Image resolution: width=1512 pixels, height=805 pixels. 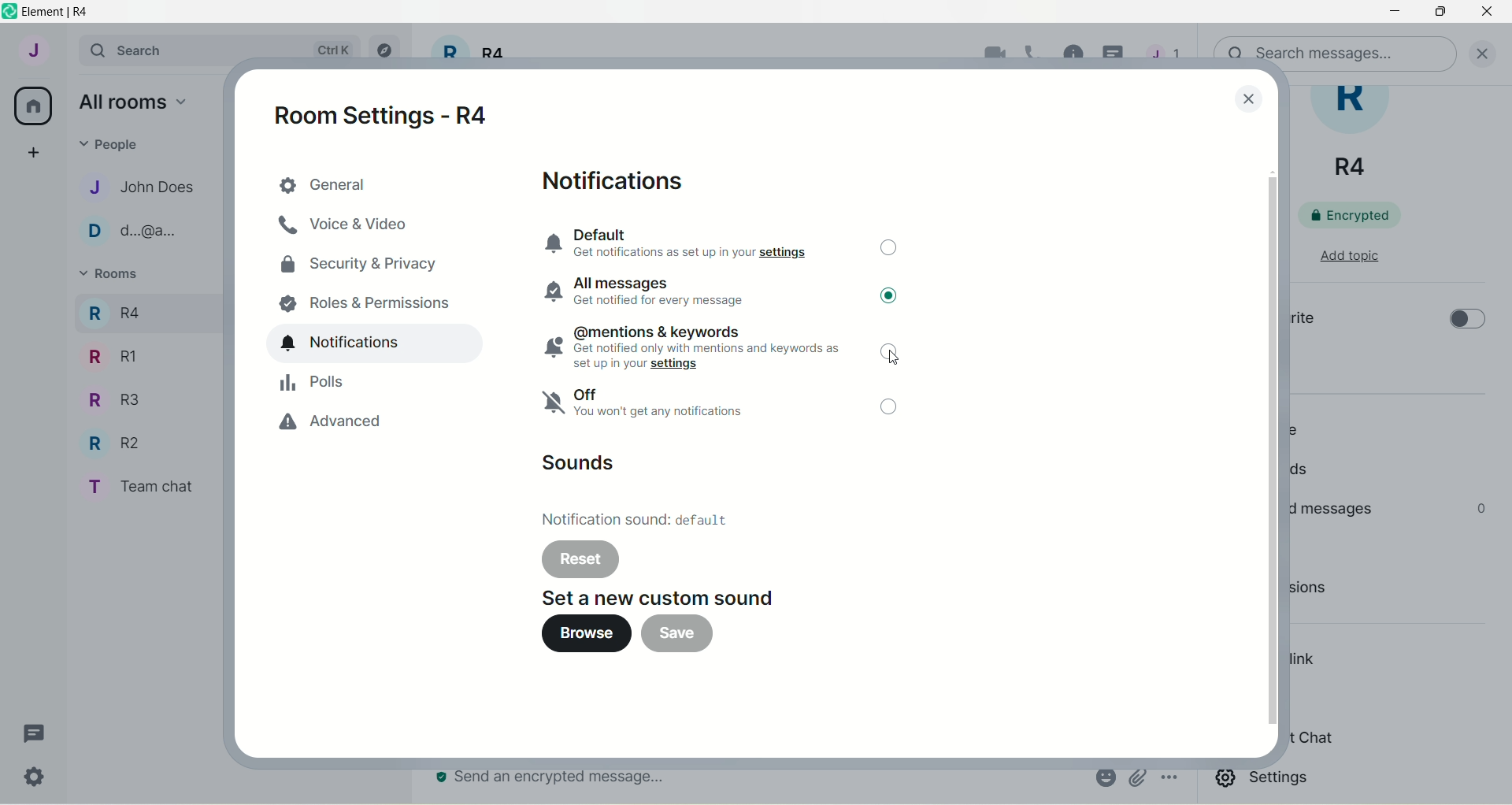 What do you see at coordinates (622, 182) in the screenshot?
I see `notifications` at bounding box center [622, 182].